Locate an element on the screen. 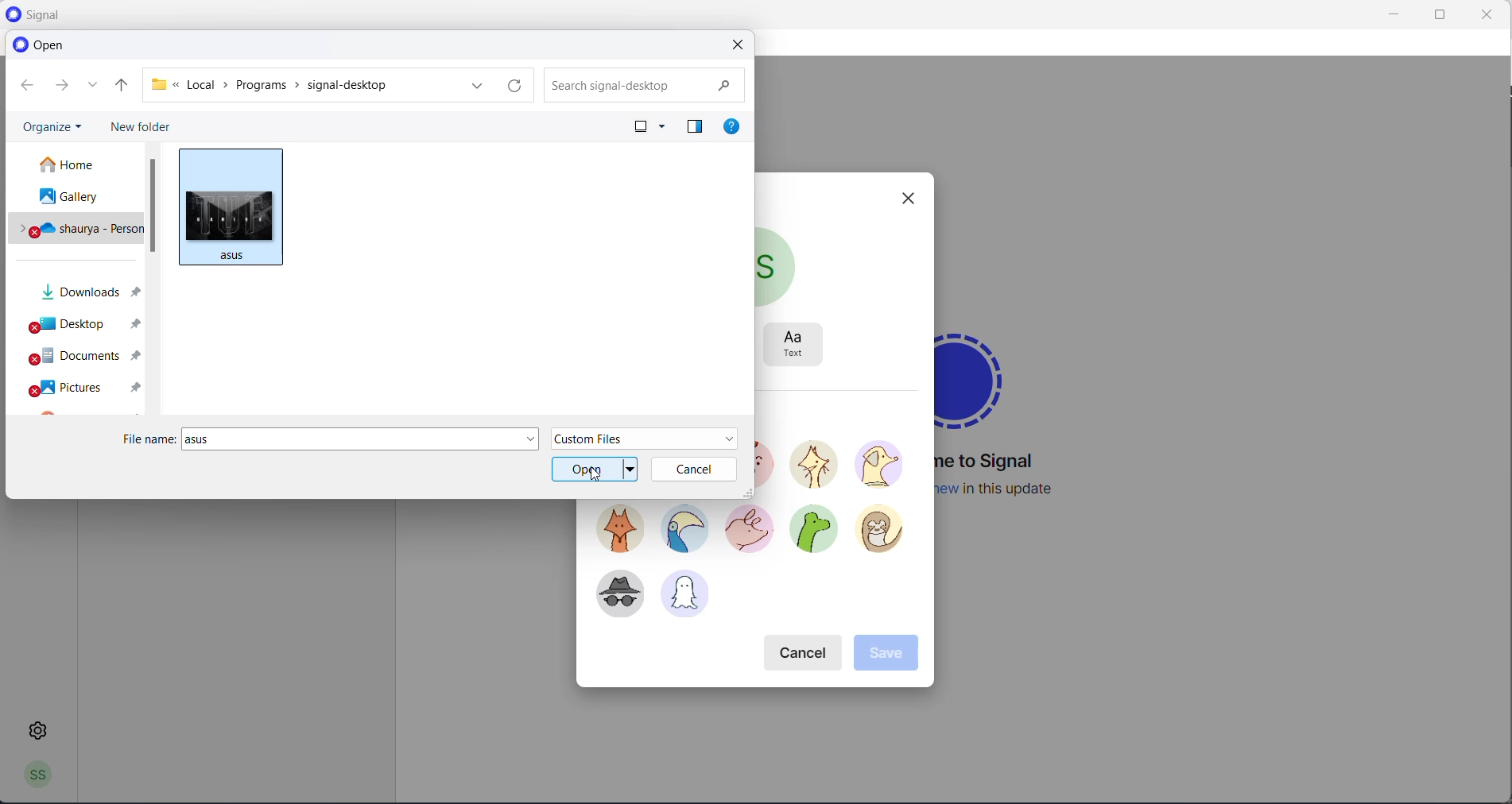  profile is located at coordinates (33, 778).